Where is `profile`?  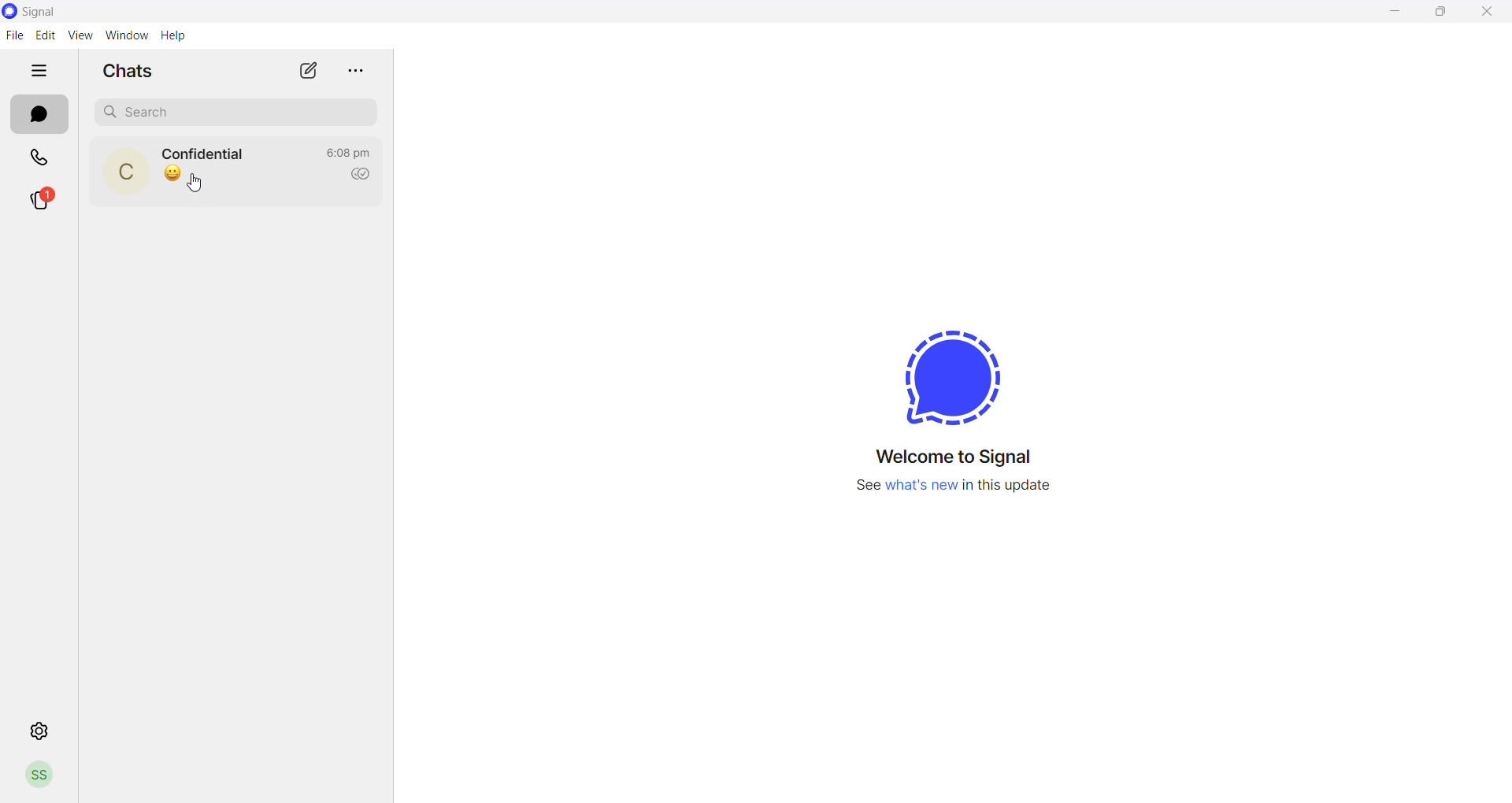
profile is located at coordinates (40, 779).